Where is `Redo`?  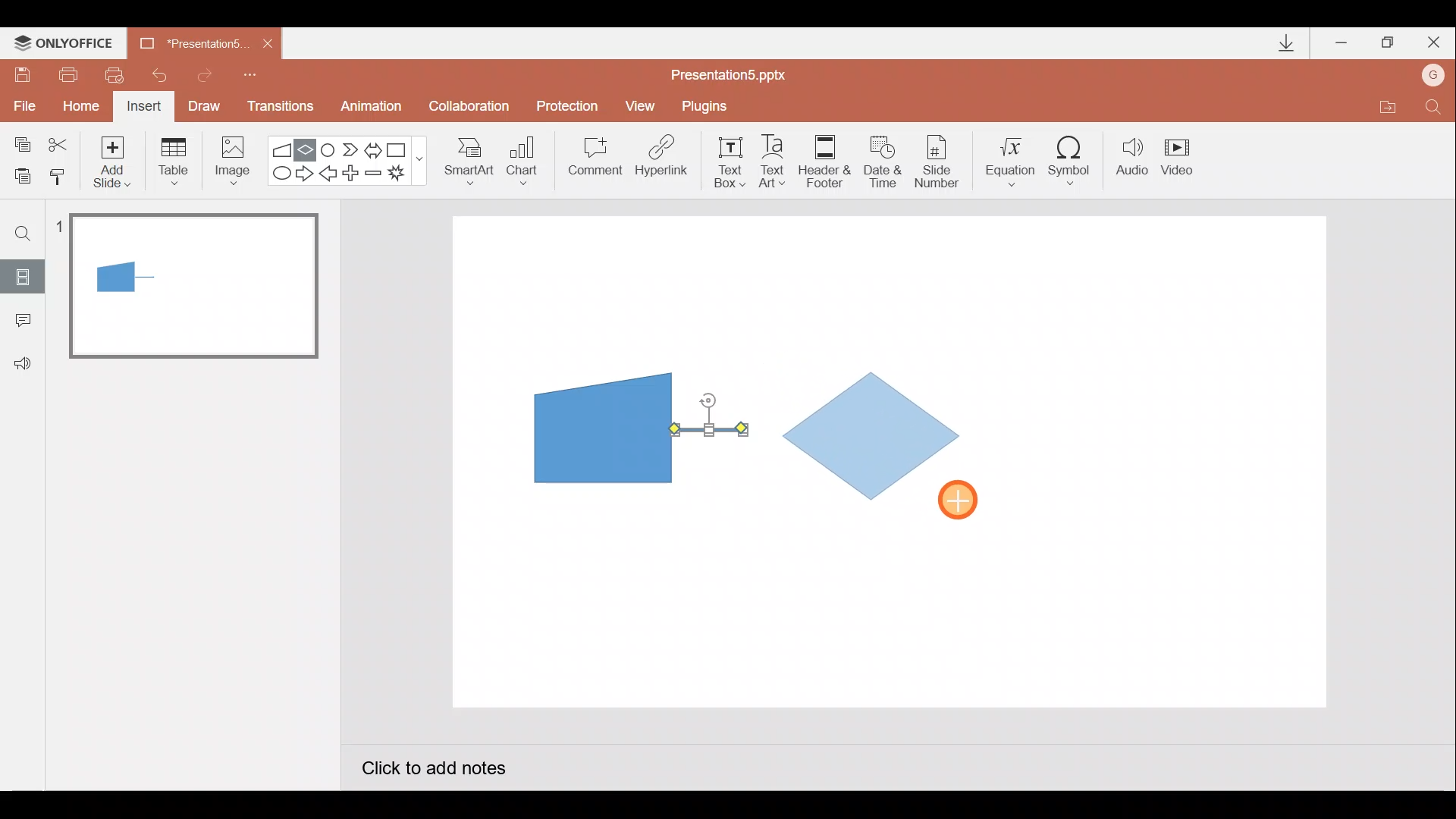
Redo is located at coordinates (206, 73).